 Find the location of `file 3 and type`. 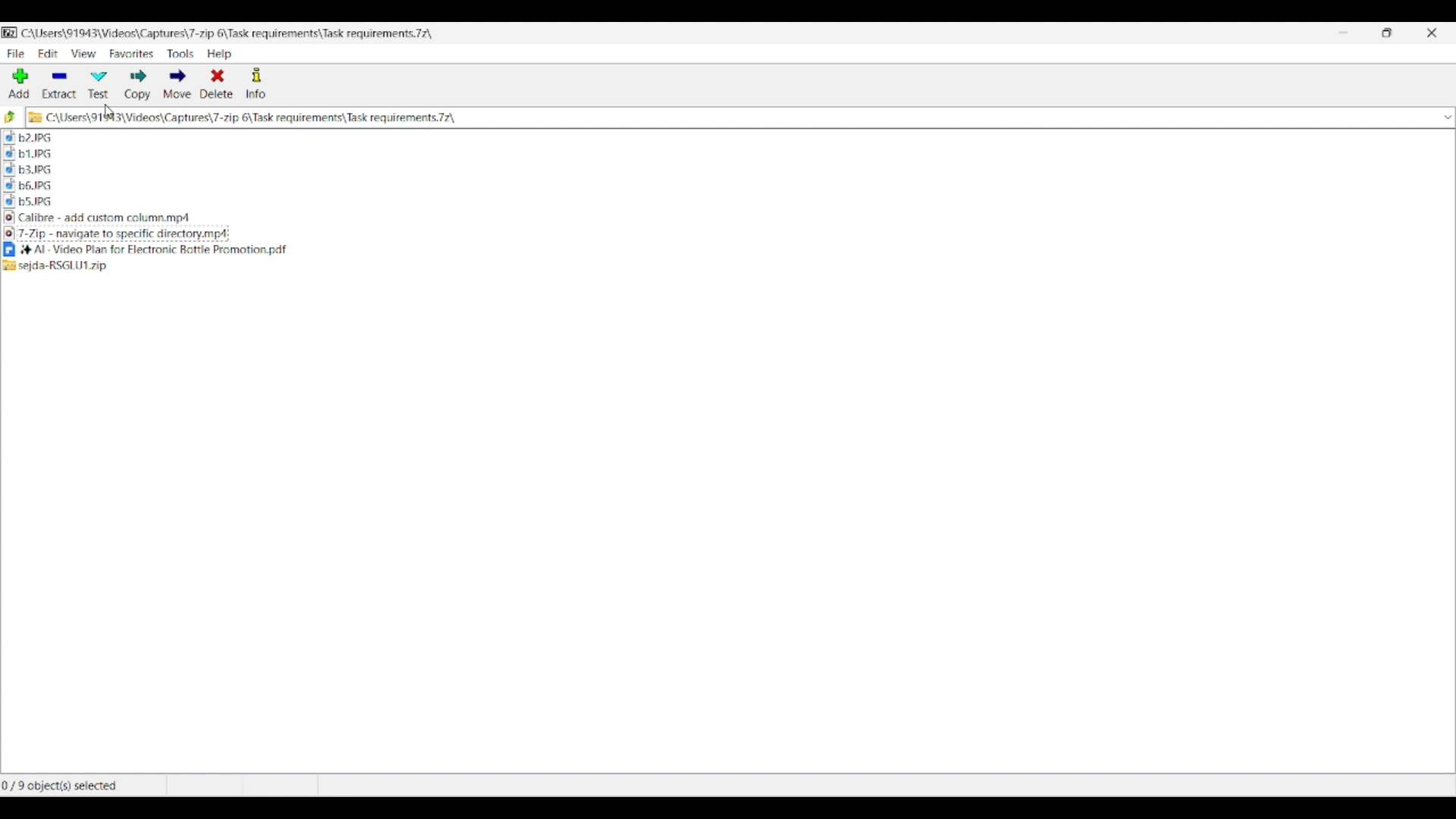

file 3 and type is located at coordinates (416, 219).